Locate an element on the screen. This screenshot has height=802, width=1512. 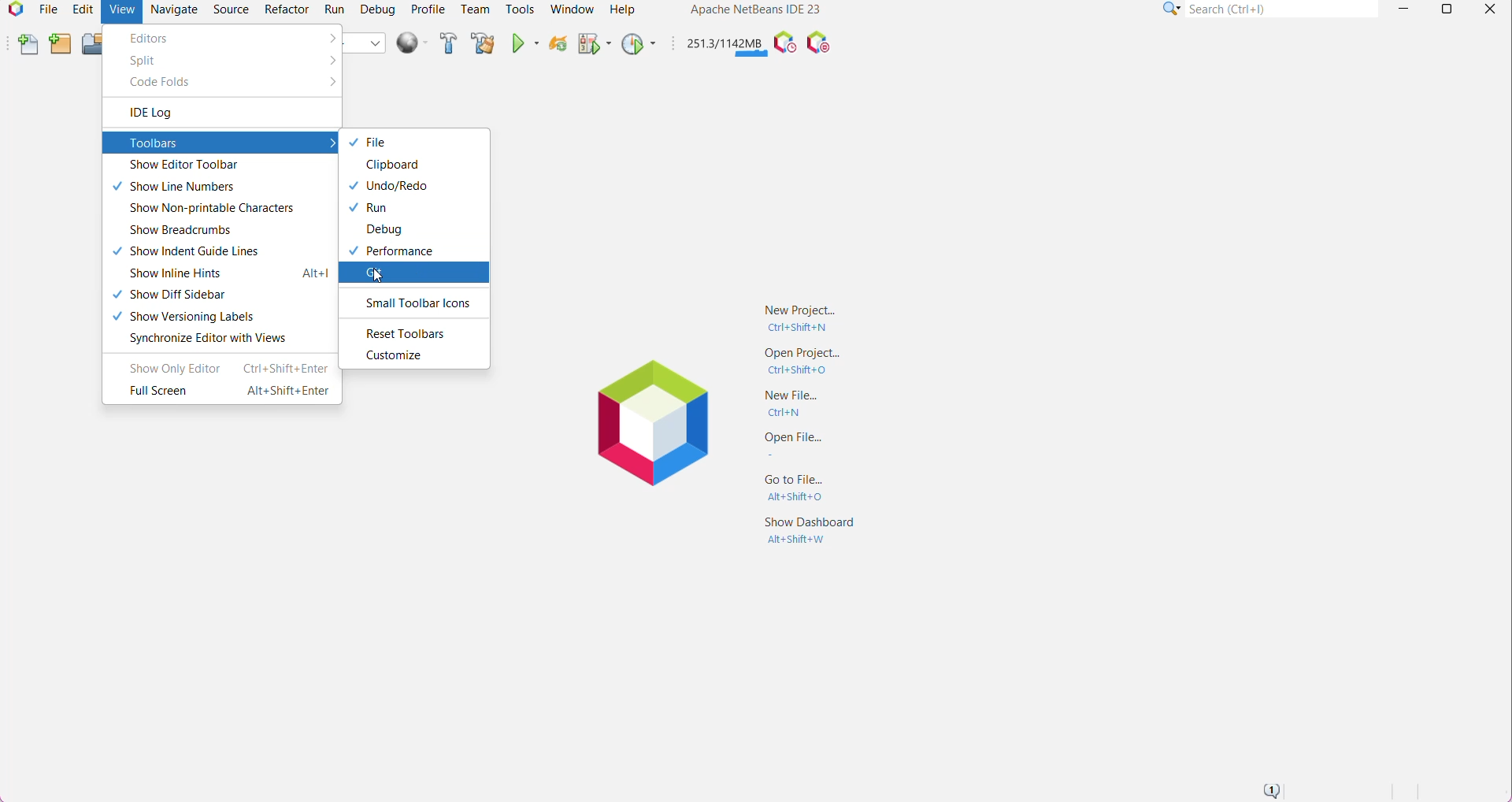
Debug is located at coordinates (378, 9).